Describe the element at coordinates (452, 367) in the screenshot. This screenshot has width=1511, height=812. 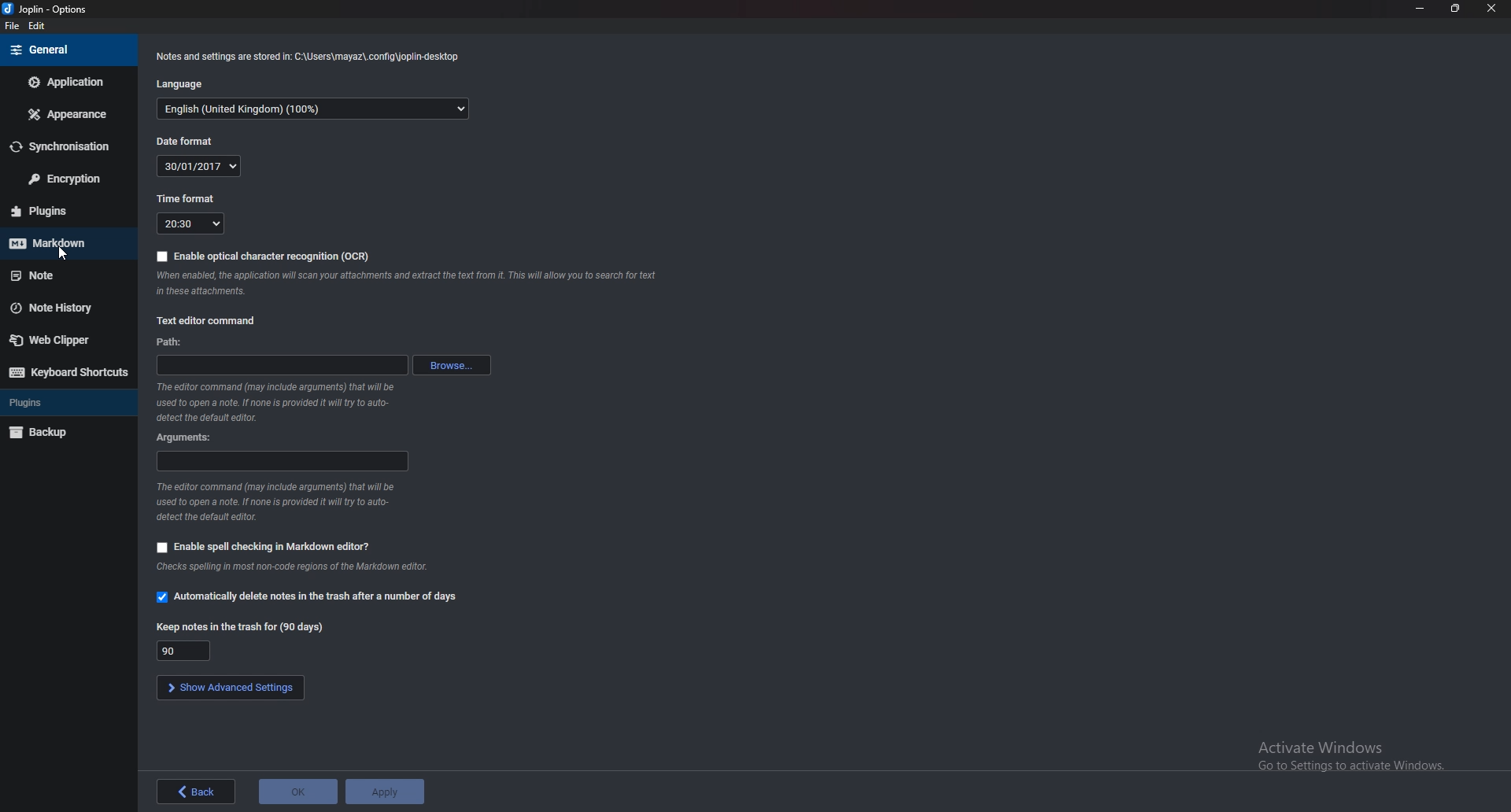
I see `browse` at that location.